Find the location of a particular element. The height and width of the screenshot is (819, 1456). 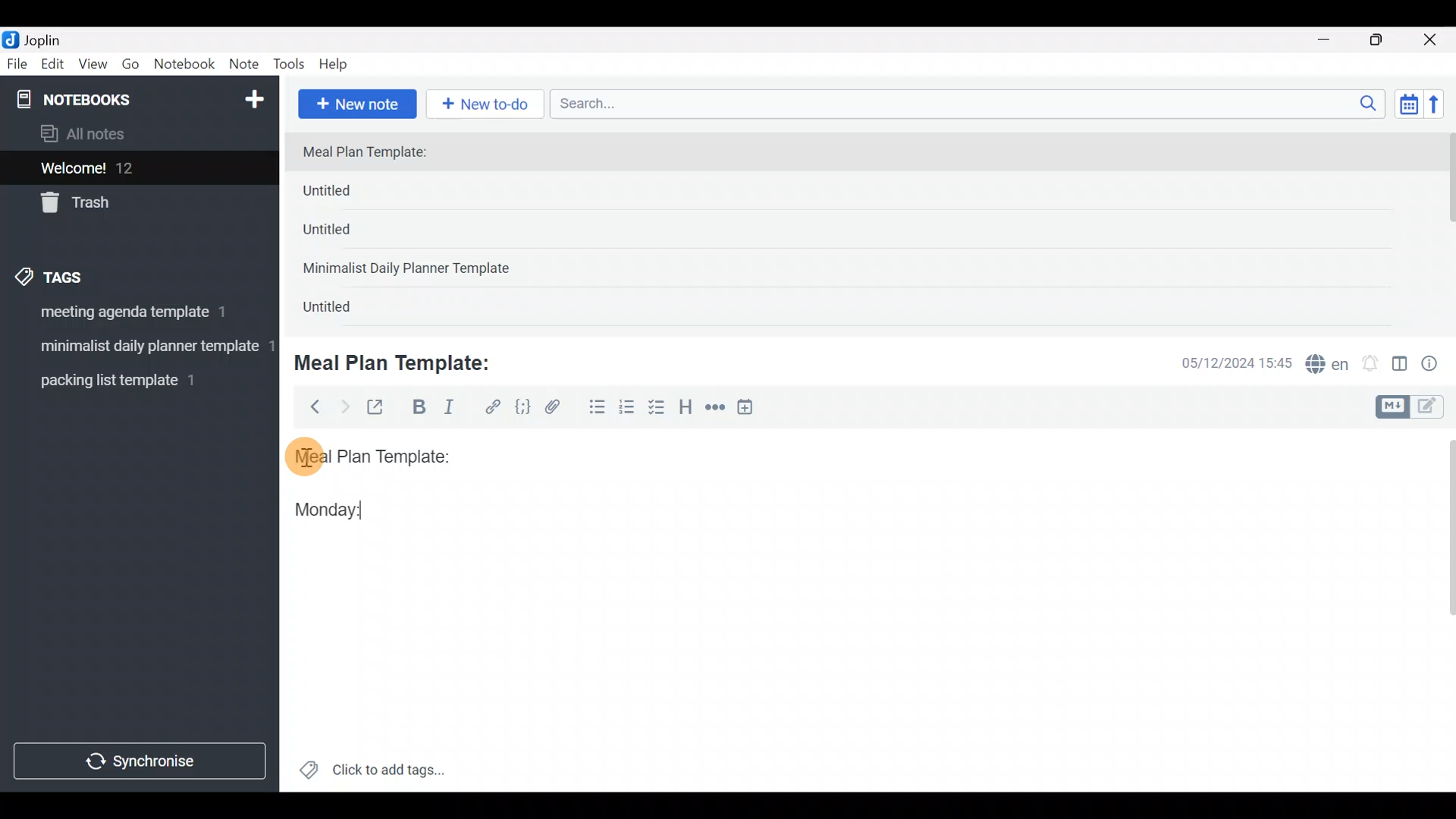

Trash is located at coordinates (130, 204).